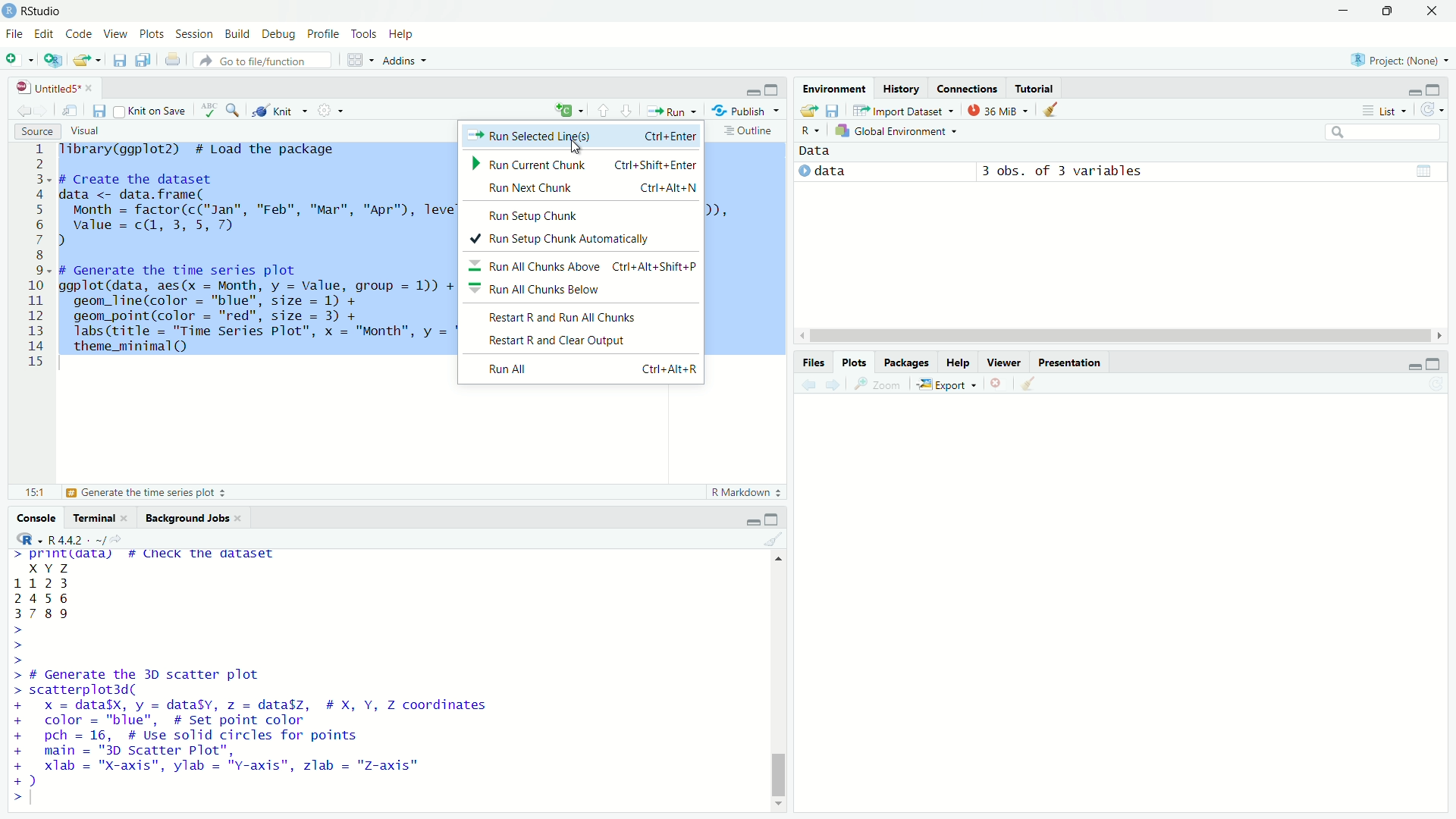 The height and width of the screenshot is (819, 1456). I want to click on Run Setup Chunk Automatically, so click(559, 239).